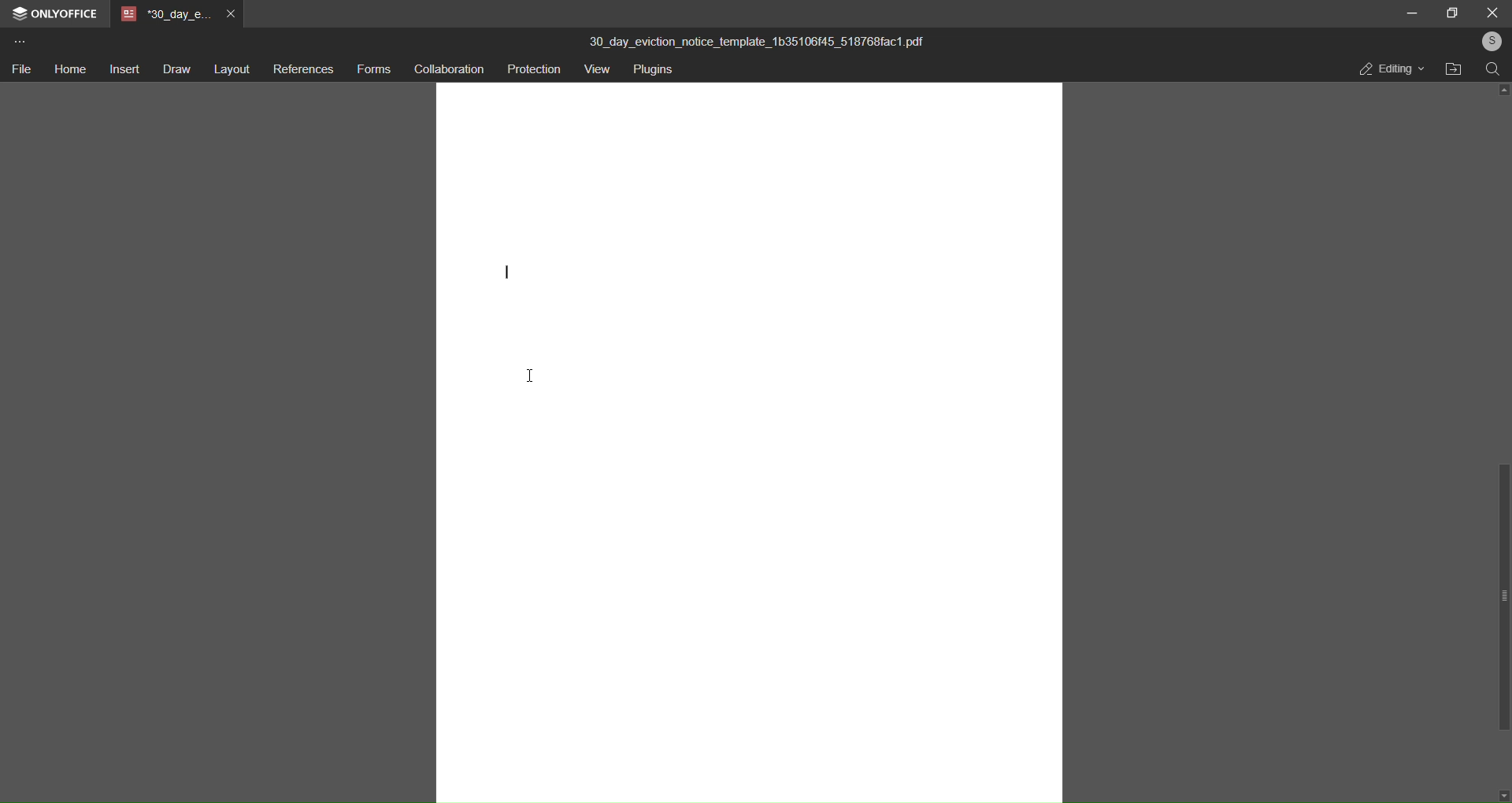 The width and height of the screenshot is (1512, 803). What do you see at coordinates (69, 70) in the screenshot?
I see `home` at bounding box center [69, 70].